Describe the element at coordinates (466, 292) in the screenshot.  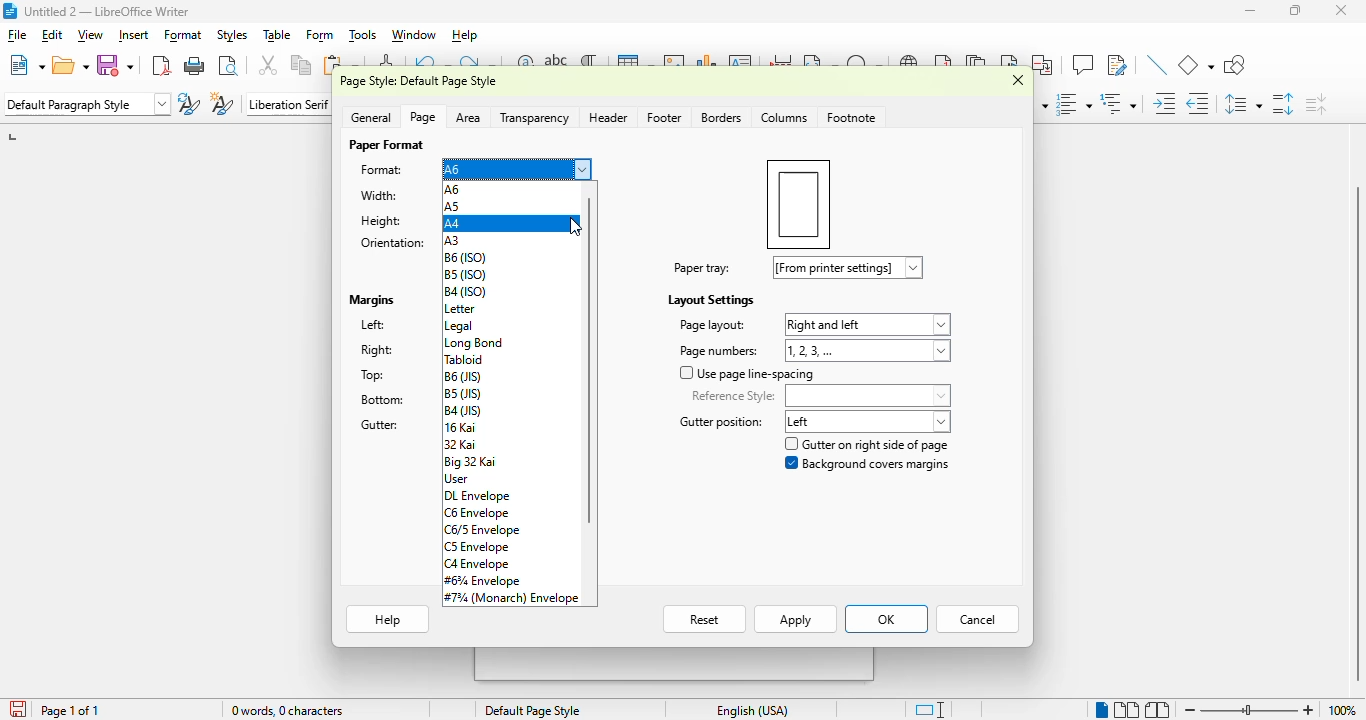
I see `B4 (ISO)` at that location.